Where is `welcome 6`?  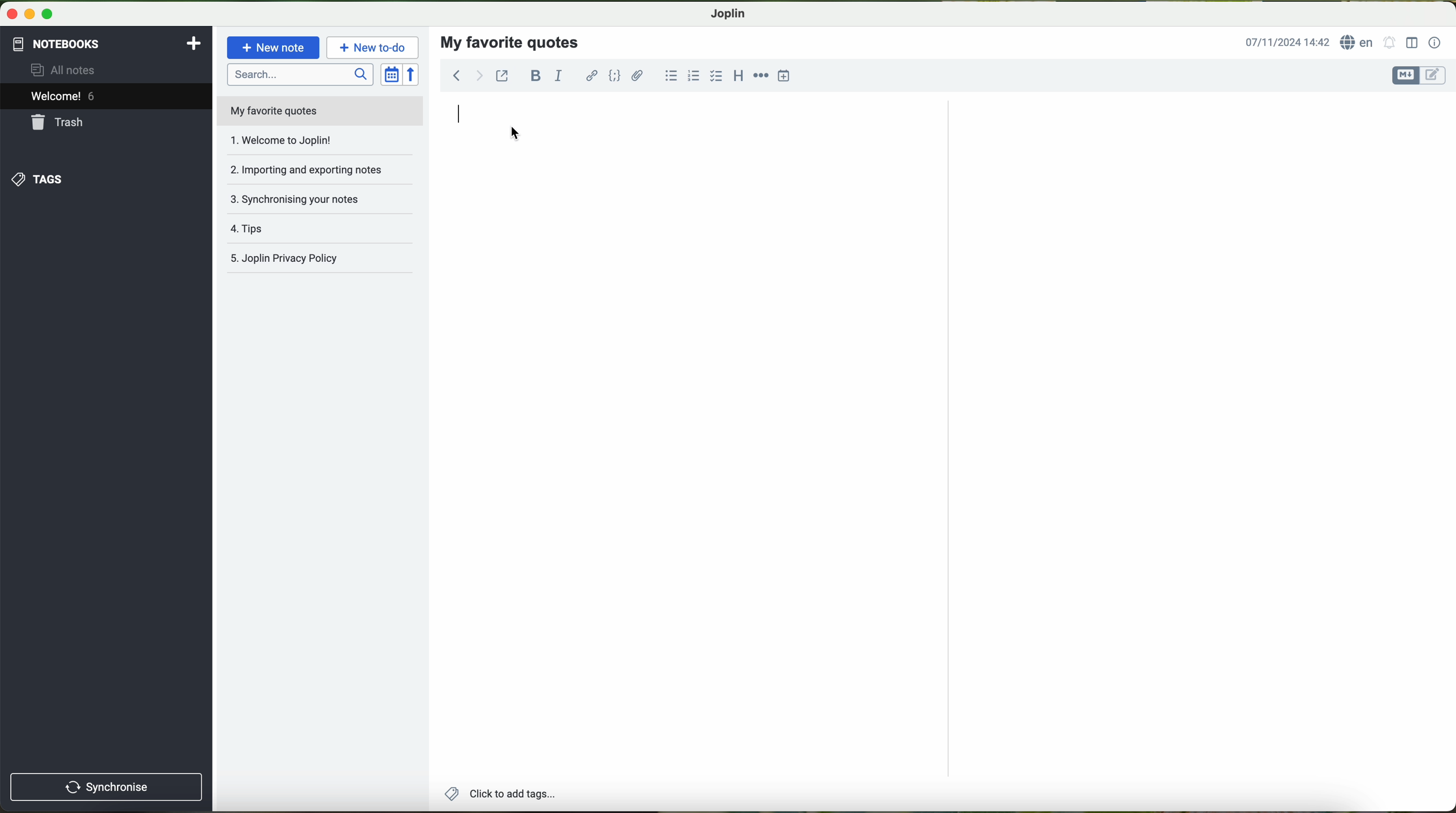 welcome 6 is located at coordinates (110, 96).